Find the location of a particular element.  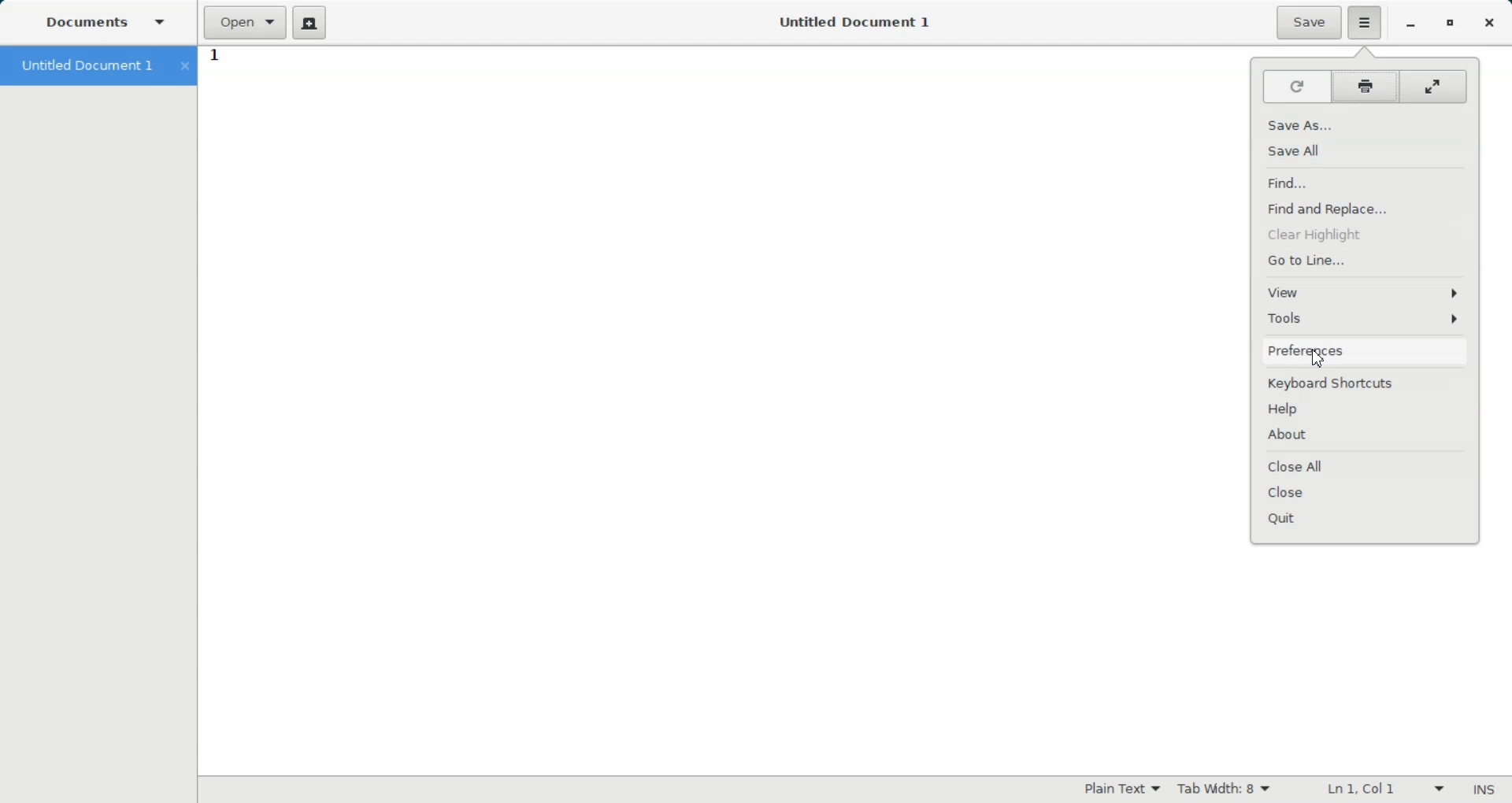

Preferences is located at coordinates (1366, 351).